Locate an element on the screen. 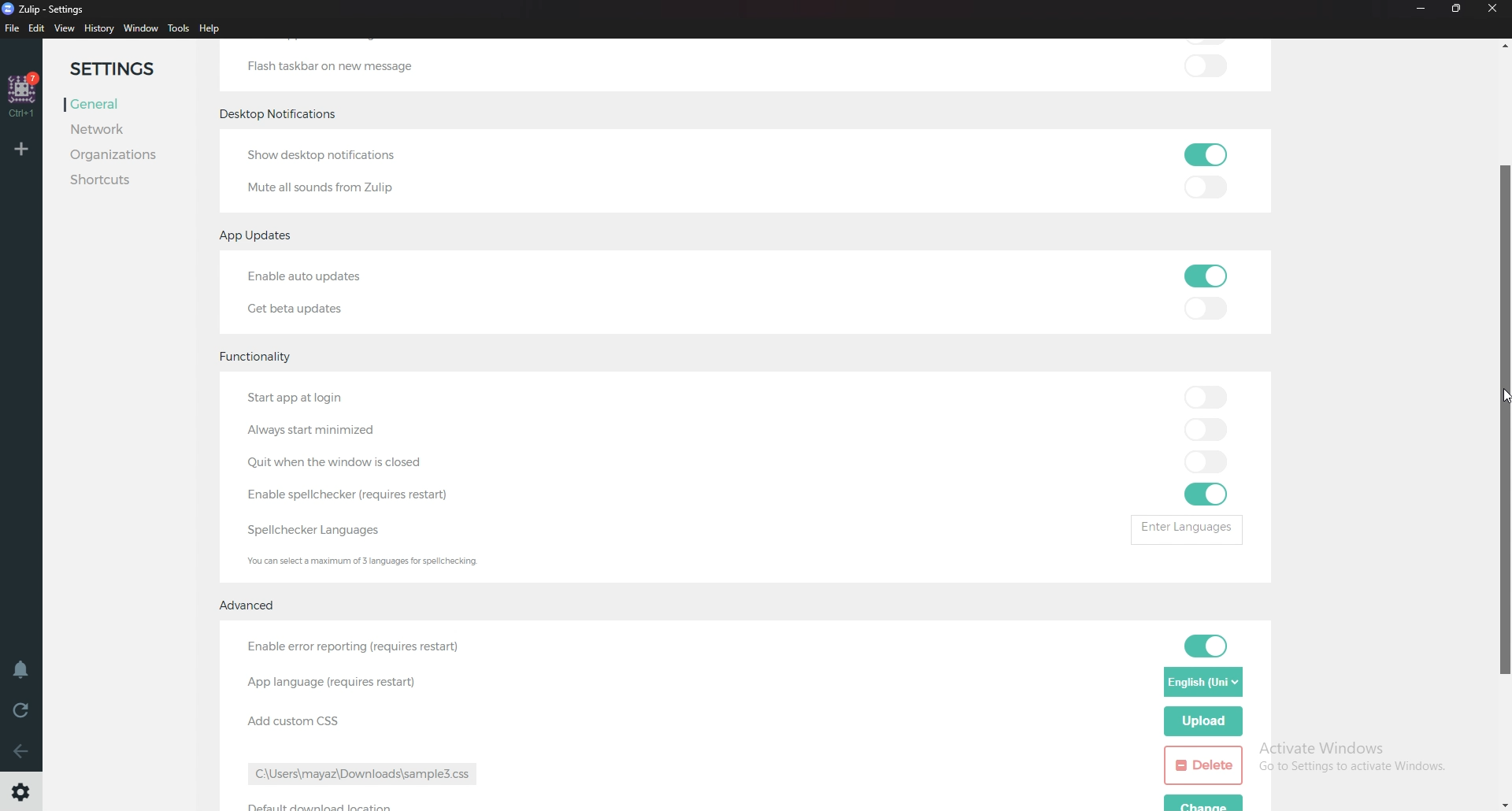 This screenshot has height=811, width=1512. Upload is located at coordinates (1203, 722).